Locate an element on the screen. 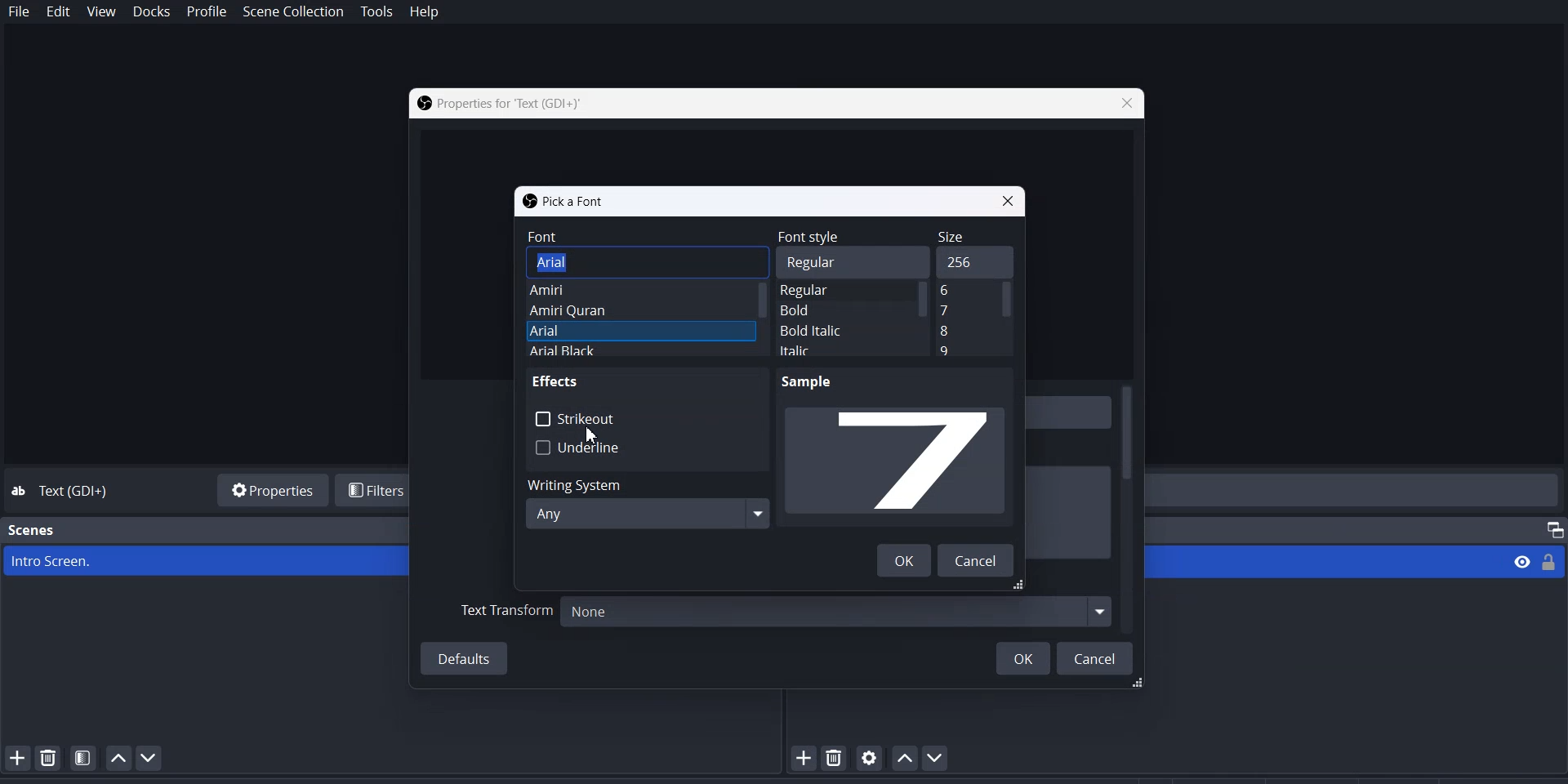 The image size is (1568, 784). Underline is located at coordinates (576, 447).